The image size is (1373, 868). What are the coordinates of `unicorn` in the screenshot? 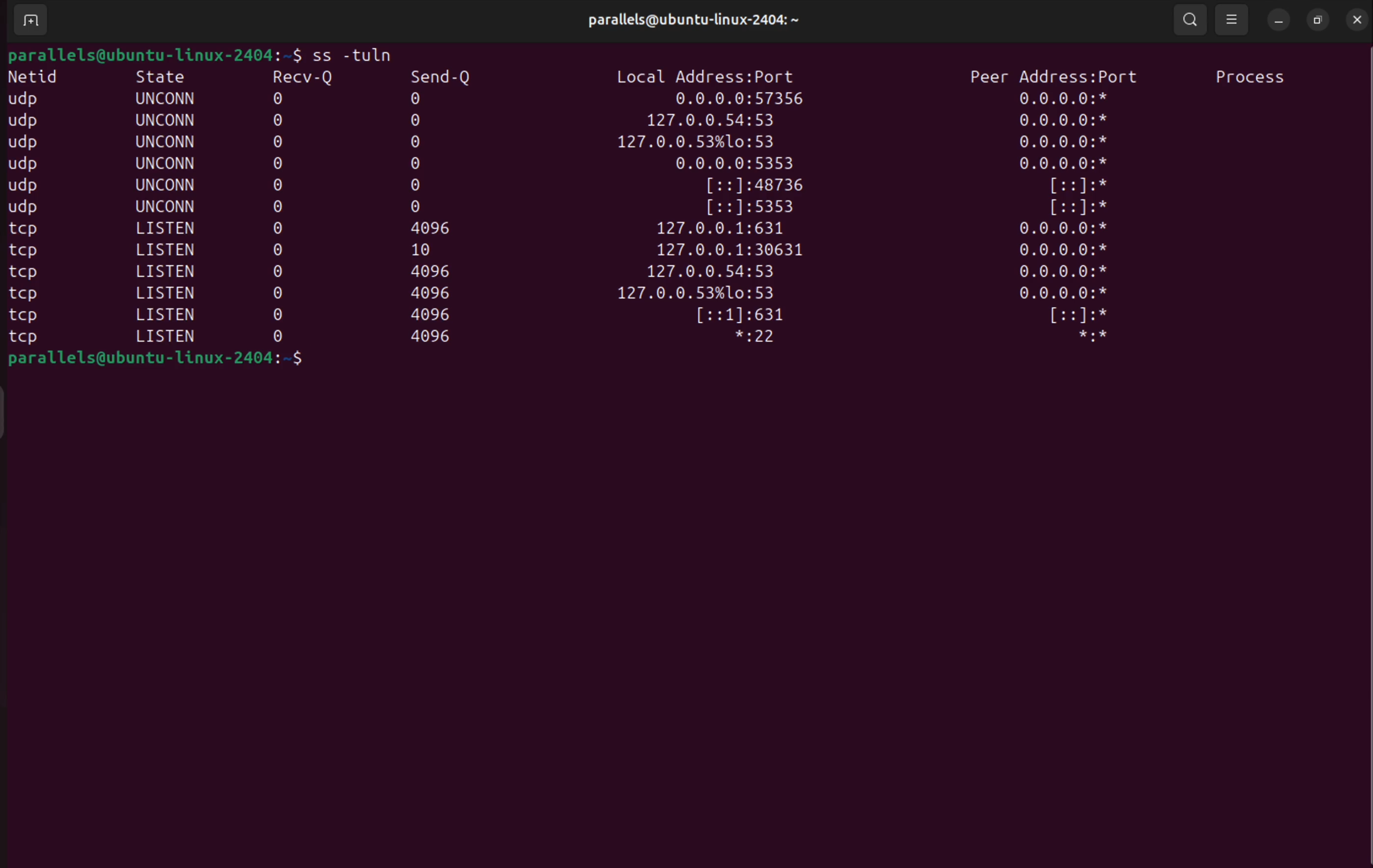 It's located at (164, 141).